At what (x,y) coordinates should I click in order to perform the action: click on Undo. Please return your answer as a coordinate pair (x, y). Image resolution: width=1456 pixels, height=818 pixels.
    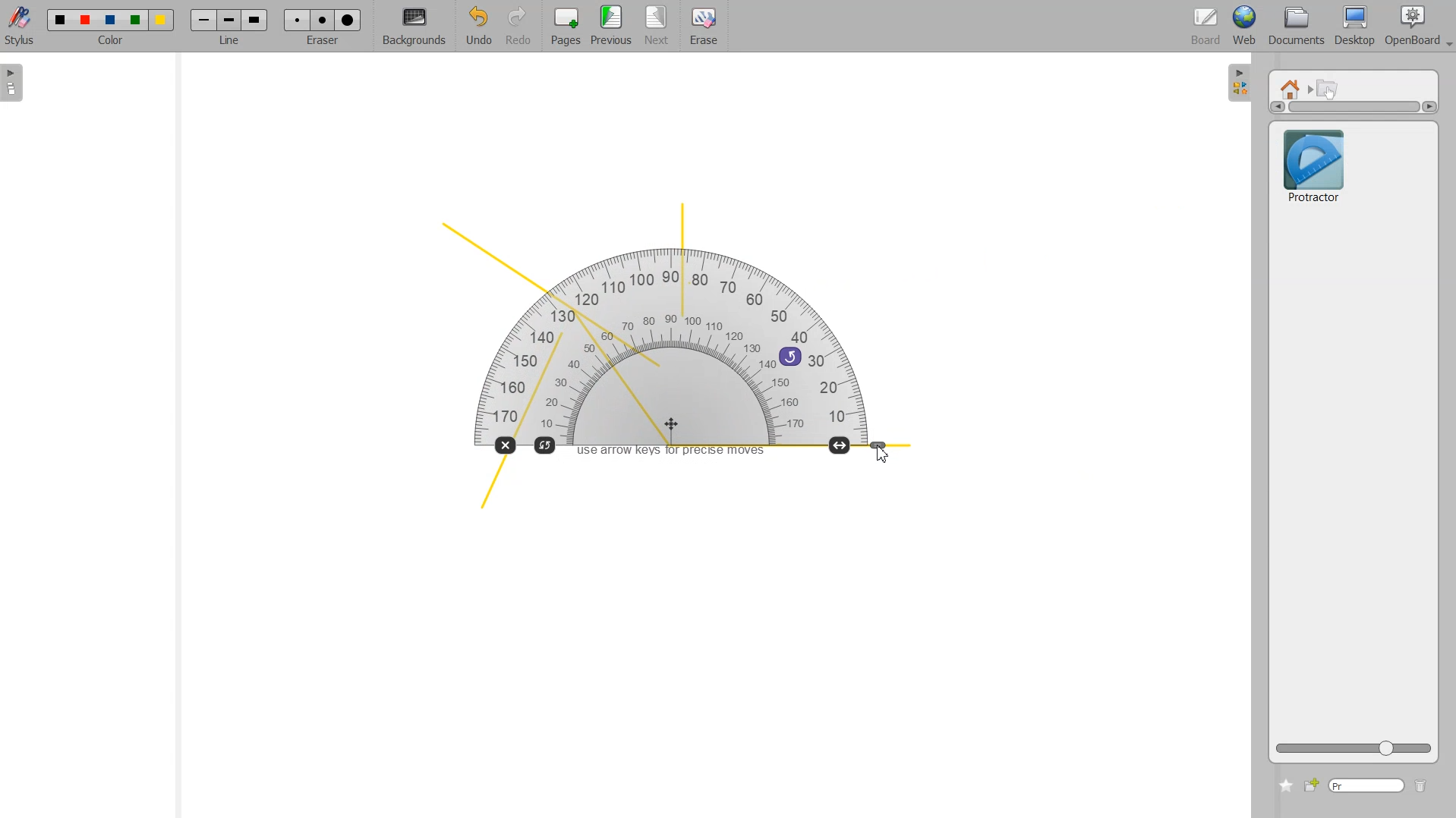
    Looking at the image, I should click on (476, 27).